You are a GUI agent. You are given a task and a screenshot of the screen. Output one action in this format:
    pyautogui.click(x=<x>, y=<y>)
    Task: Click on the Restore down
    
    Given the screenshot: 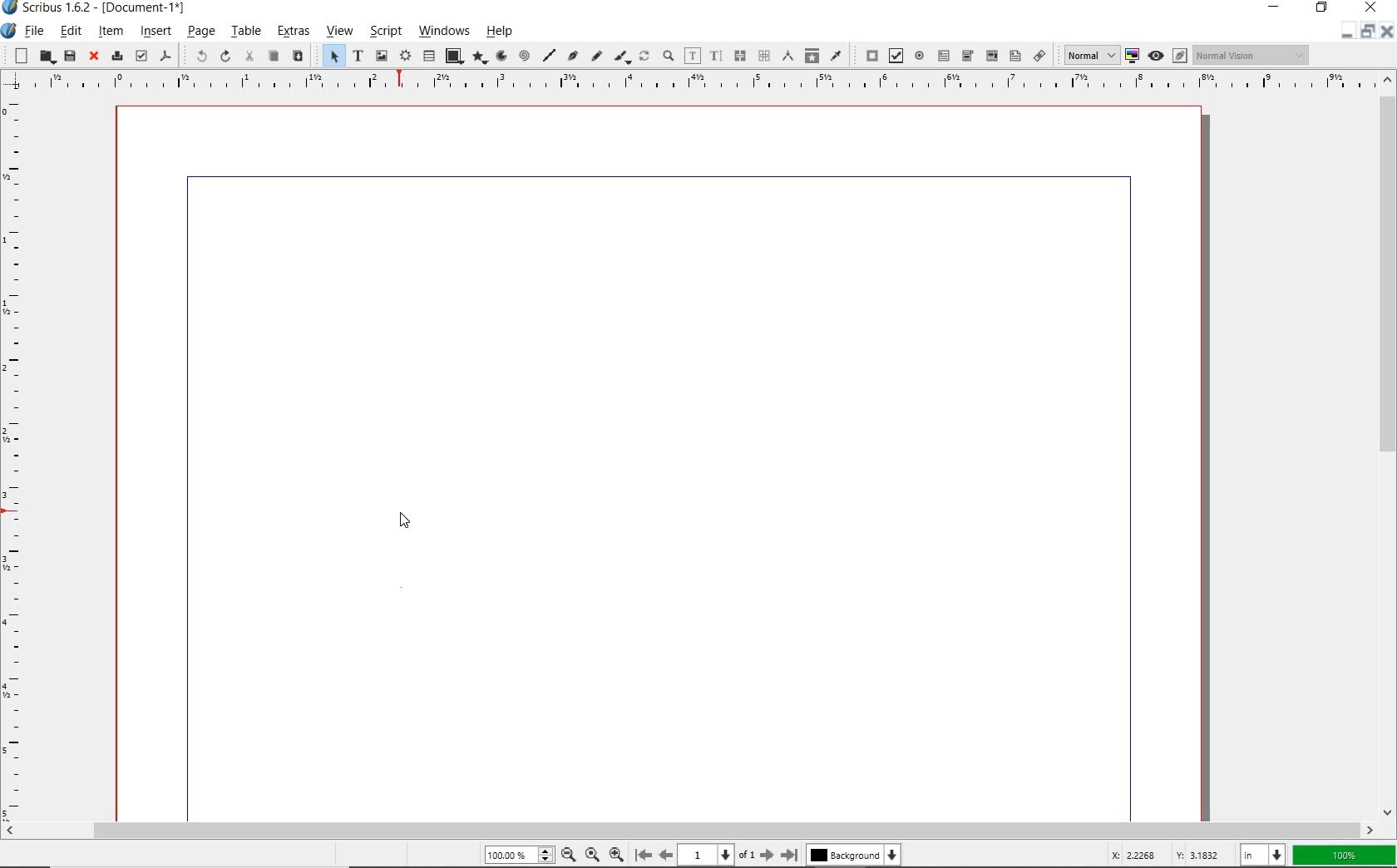 What is the action you would take?
    pyautogui.click(x=1345, y=32)
    